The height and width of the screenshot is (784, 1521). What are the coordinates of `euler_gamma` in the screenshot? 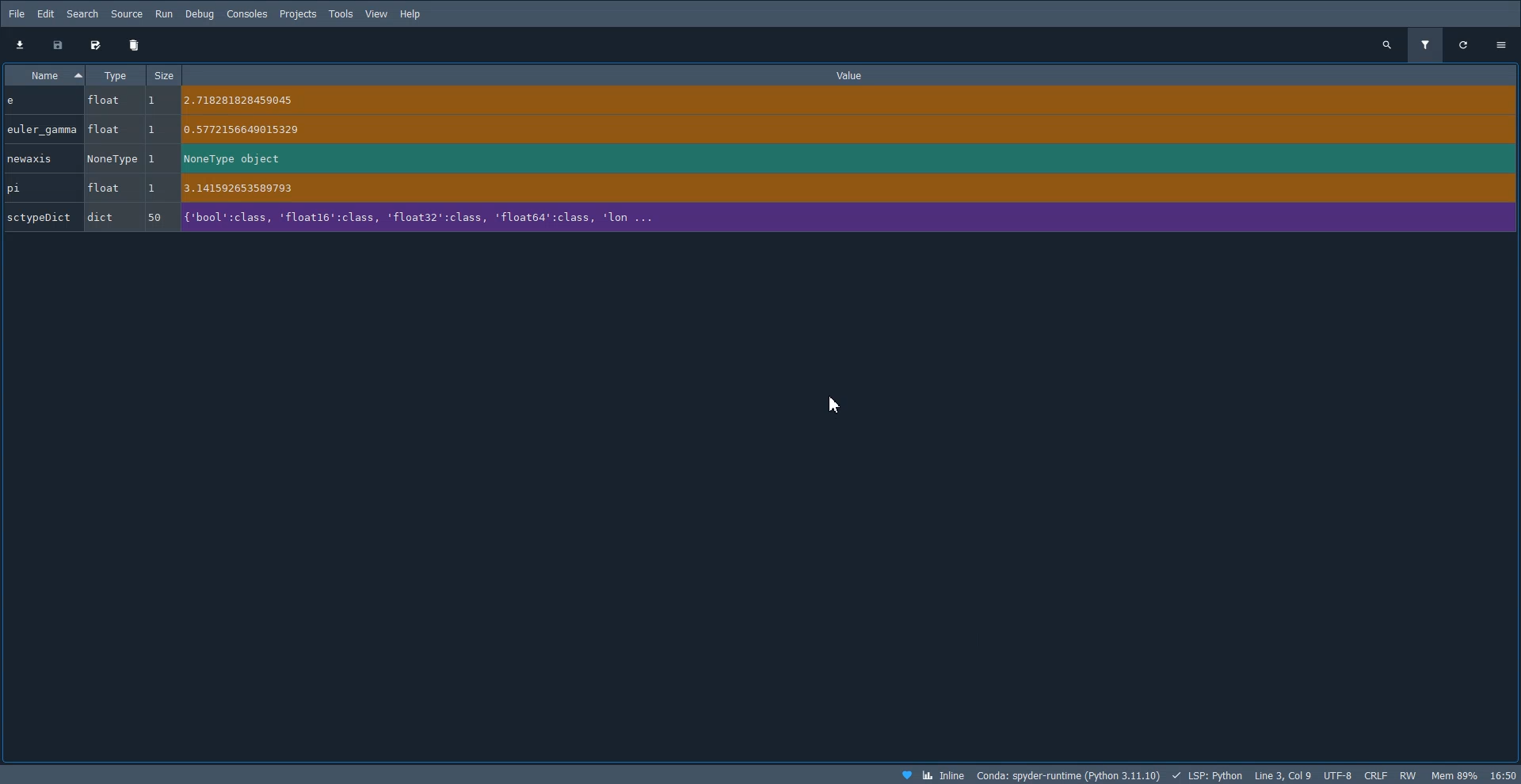 It's located at (43, 130).